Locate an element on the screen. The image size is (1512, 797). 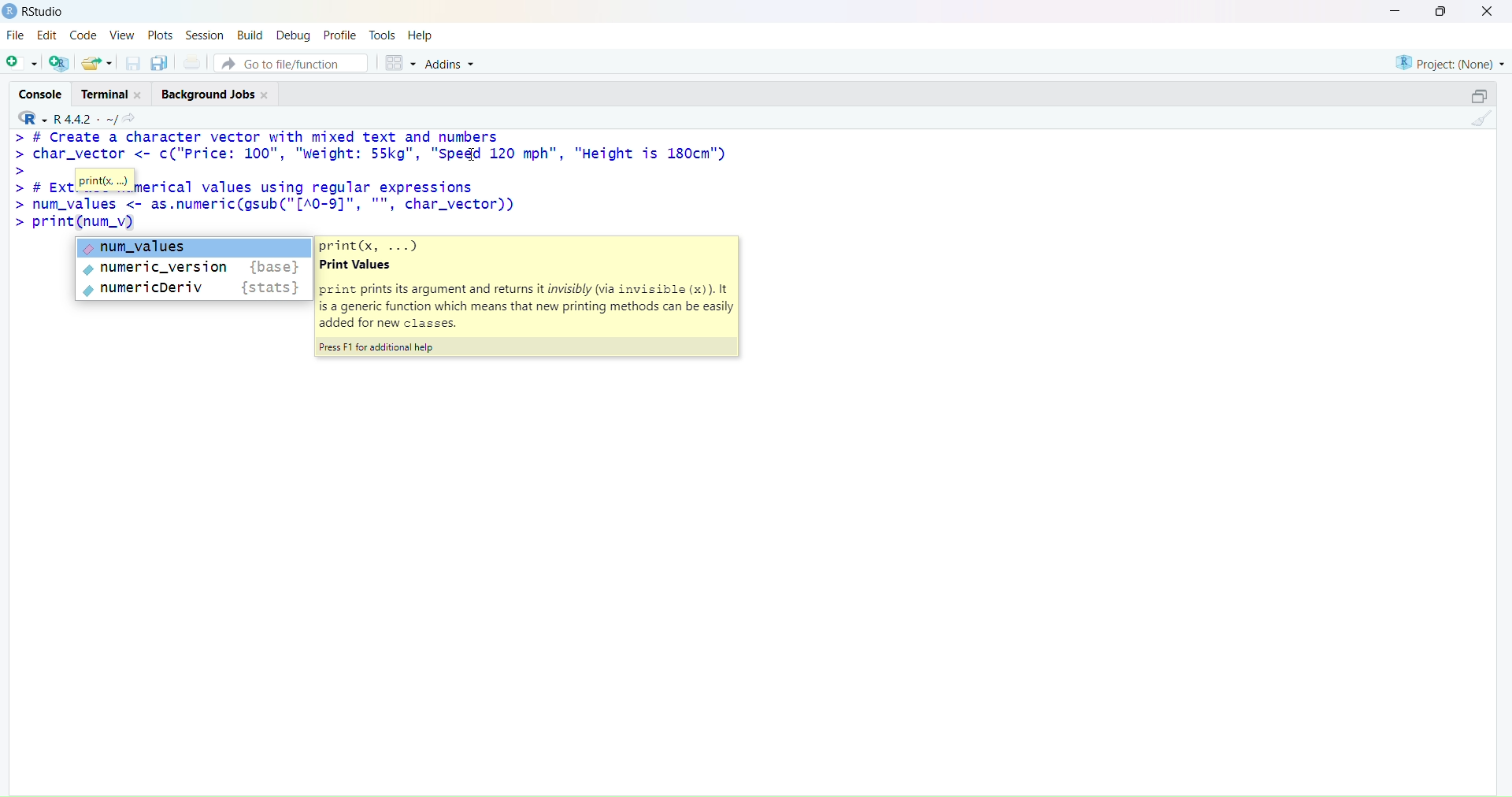
numericDeriv {stats} is located at coordinates (194, 288).